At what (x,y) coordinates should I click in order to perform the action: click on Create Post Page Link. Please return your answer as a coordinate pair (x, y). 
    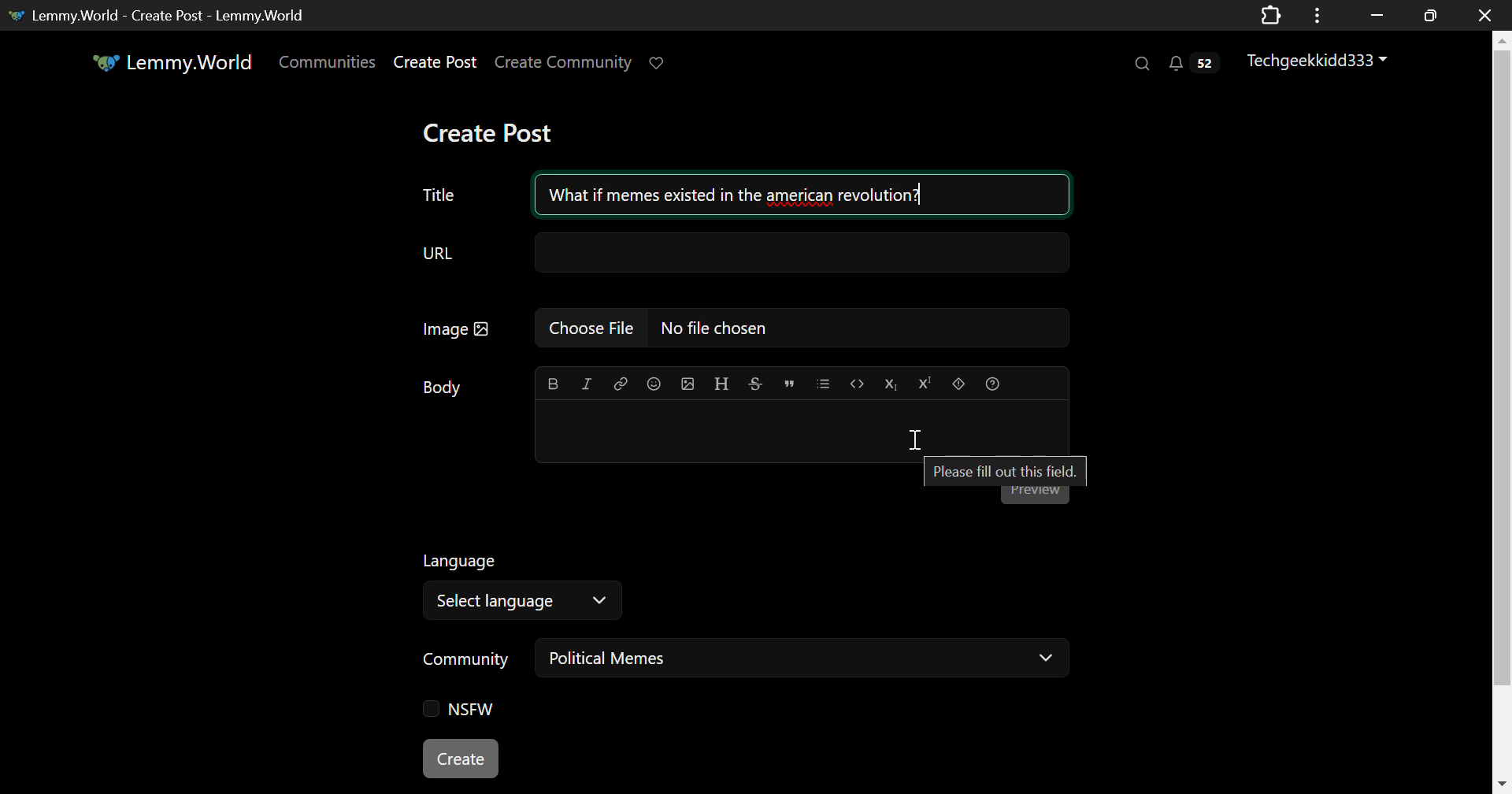
    Looking at the image, I should click on (435, 63).